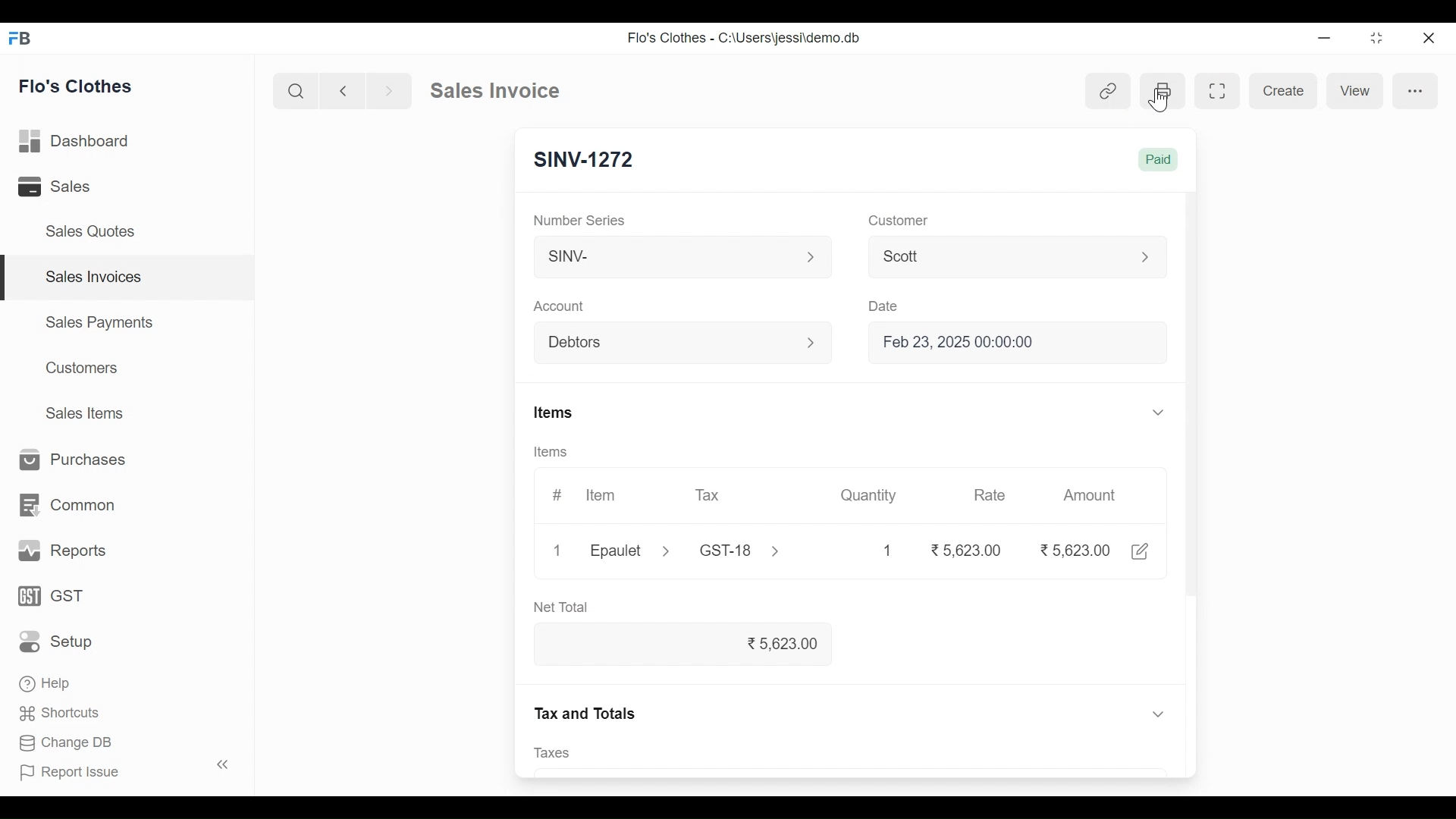 The height and width of the screenshot is (819, 1456). I want to click on Edit, so click(1139, 551).